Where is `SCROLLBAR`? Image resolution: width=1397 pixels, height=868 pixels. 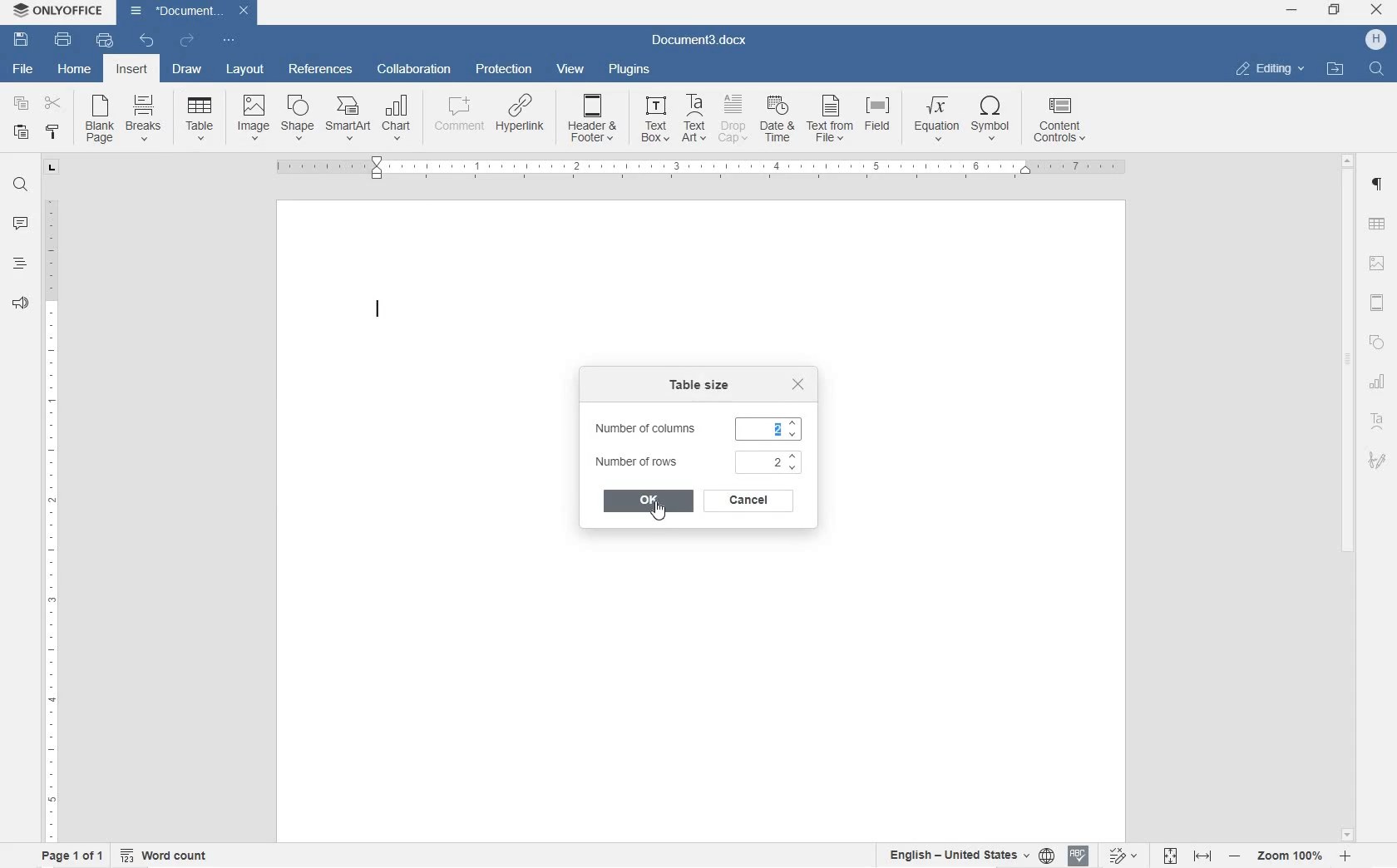
SCROLLBAR is located at coordinates (1346, 496).